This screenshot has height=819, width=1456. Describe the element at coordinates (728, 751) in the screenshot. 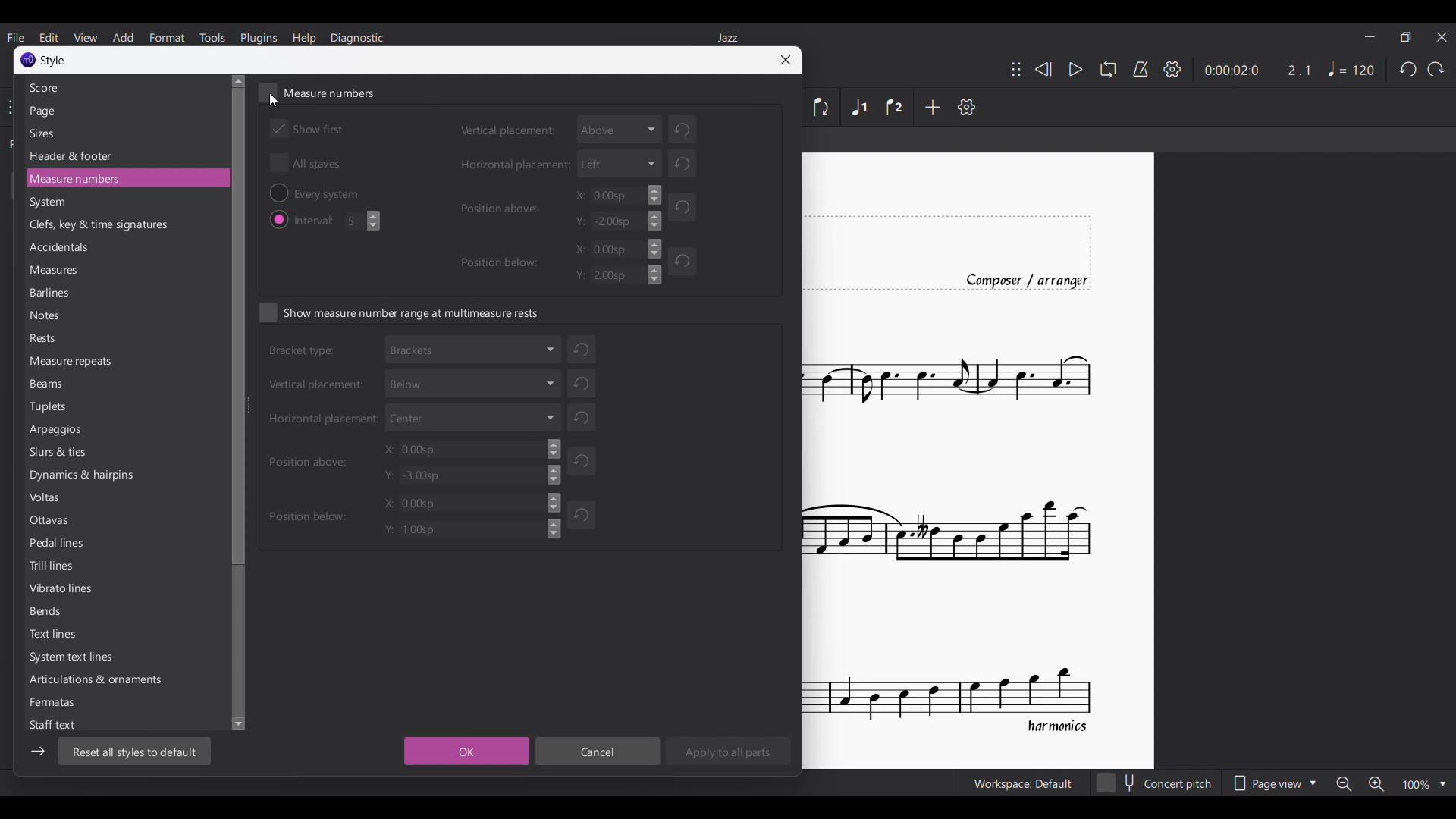

I see `Apply to all parts` at that location.